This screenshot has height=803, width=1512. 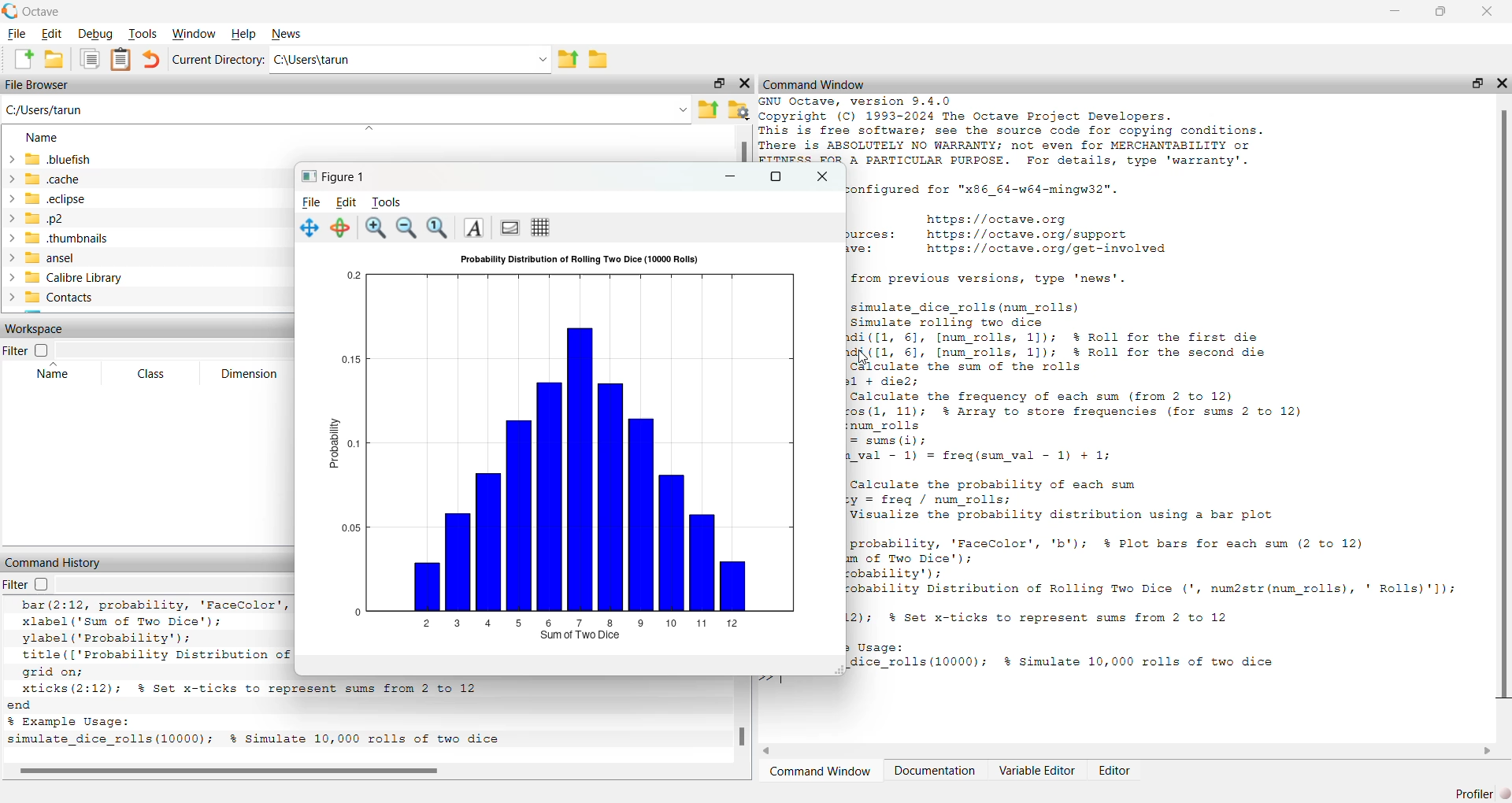 What do you see at coordinates (309, 202) in the screenshot?
I see `File` at bounding box center [309, 202].